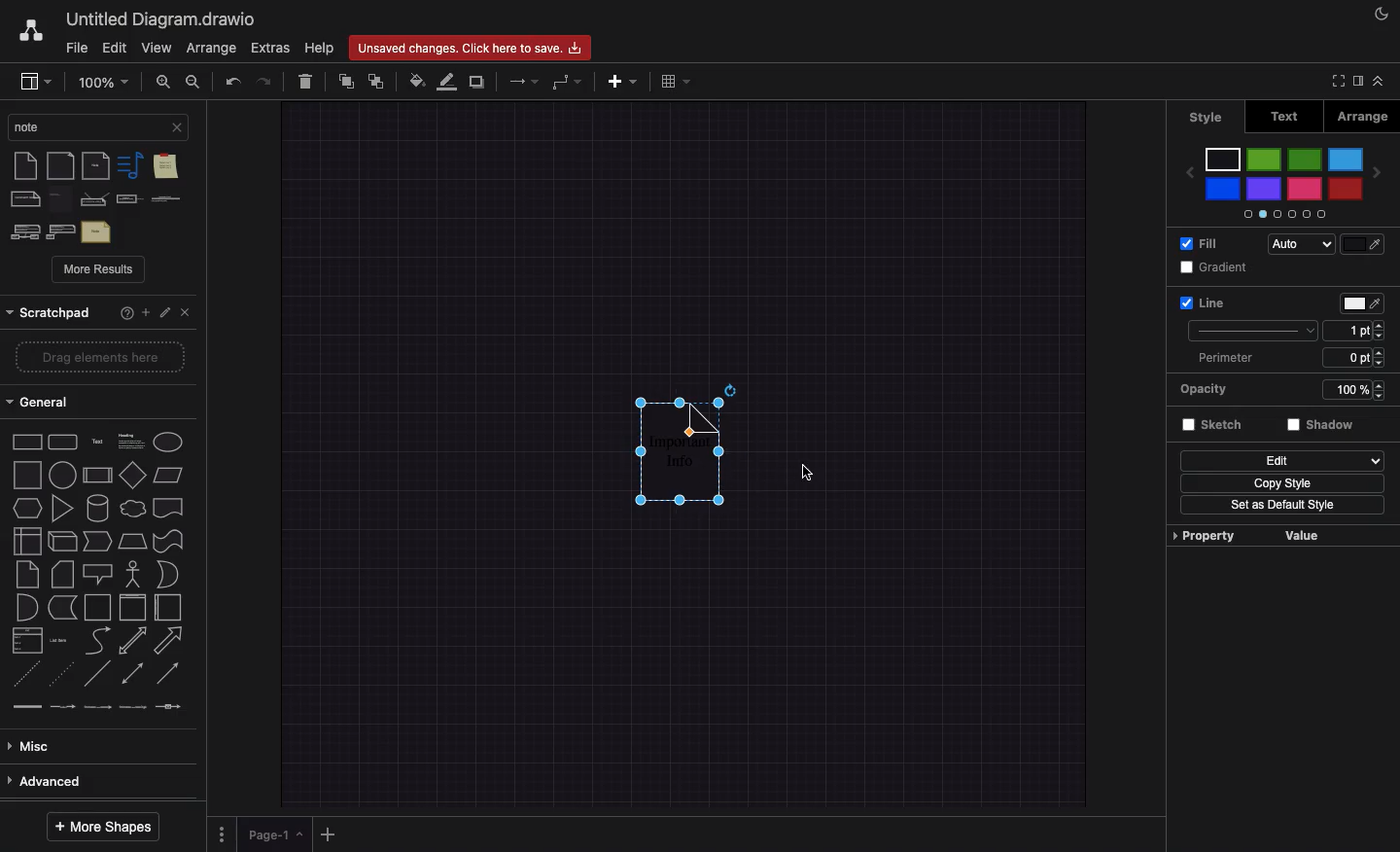 The height and width of the screenshot is (852, 1400). I want to click on line color, so click(1358, 303).